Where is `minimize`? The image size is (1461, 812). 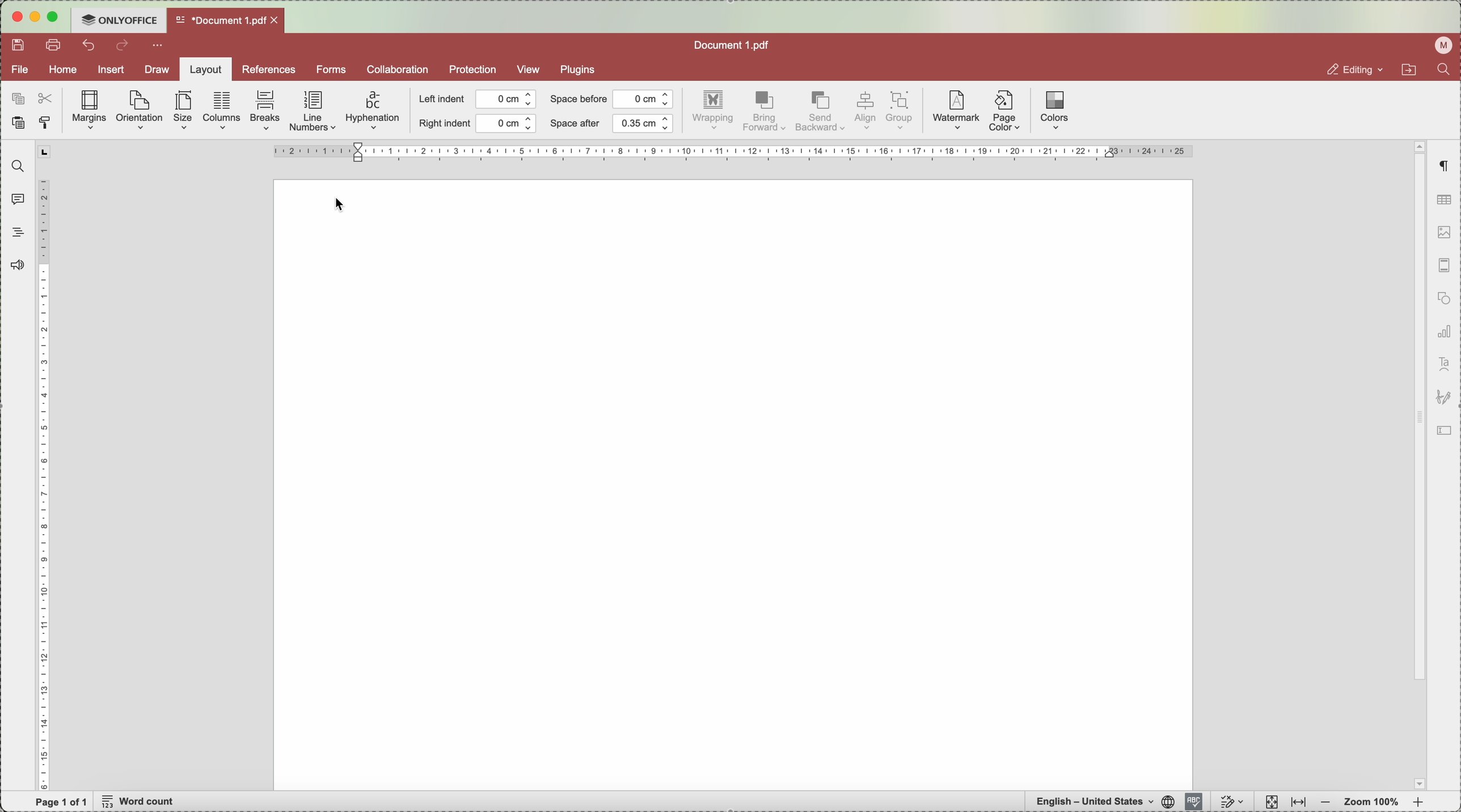
minimize is located at coordinates (36, 18).